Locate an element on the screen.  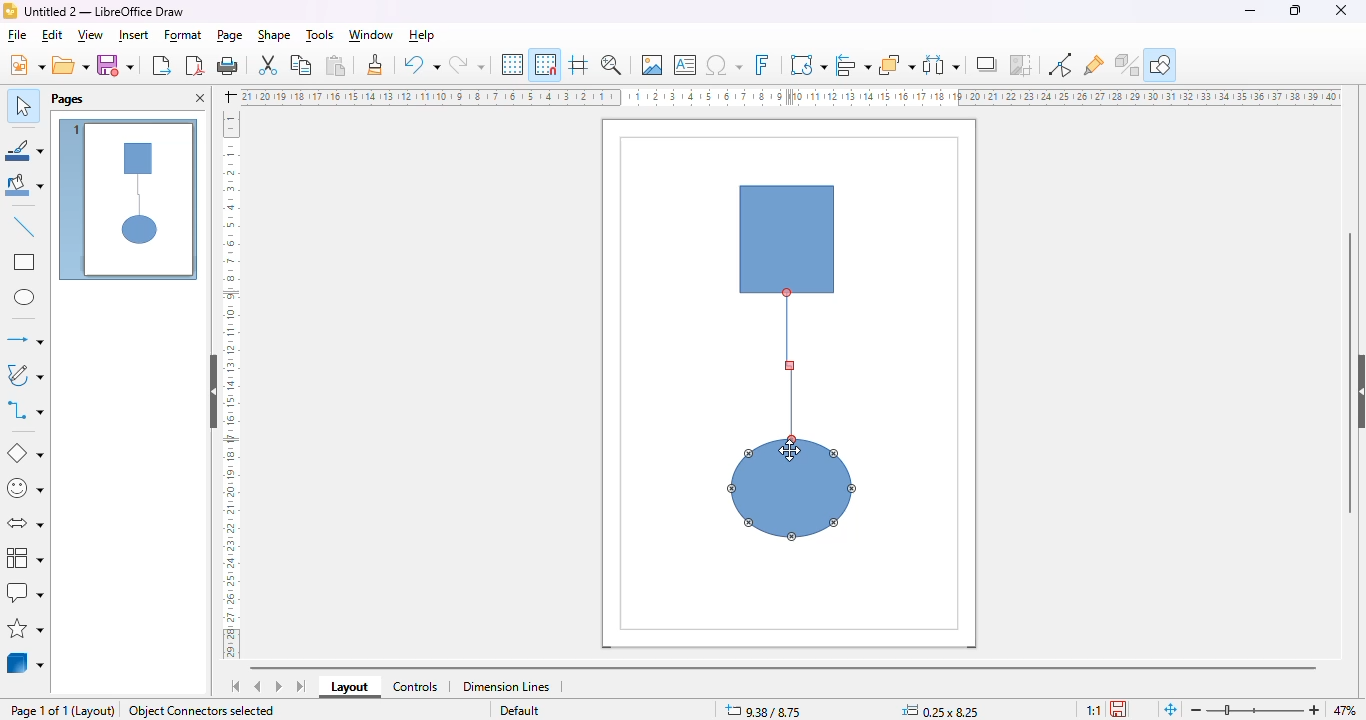
crop image is located at coordinates (1020, 65).